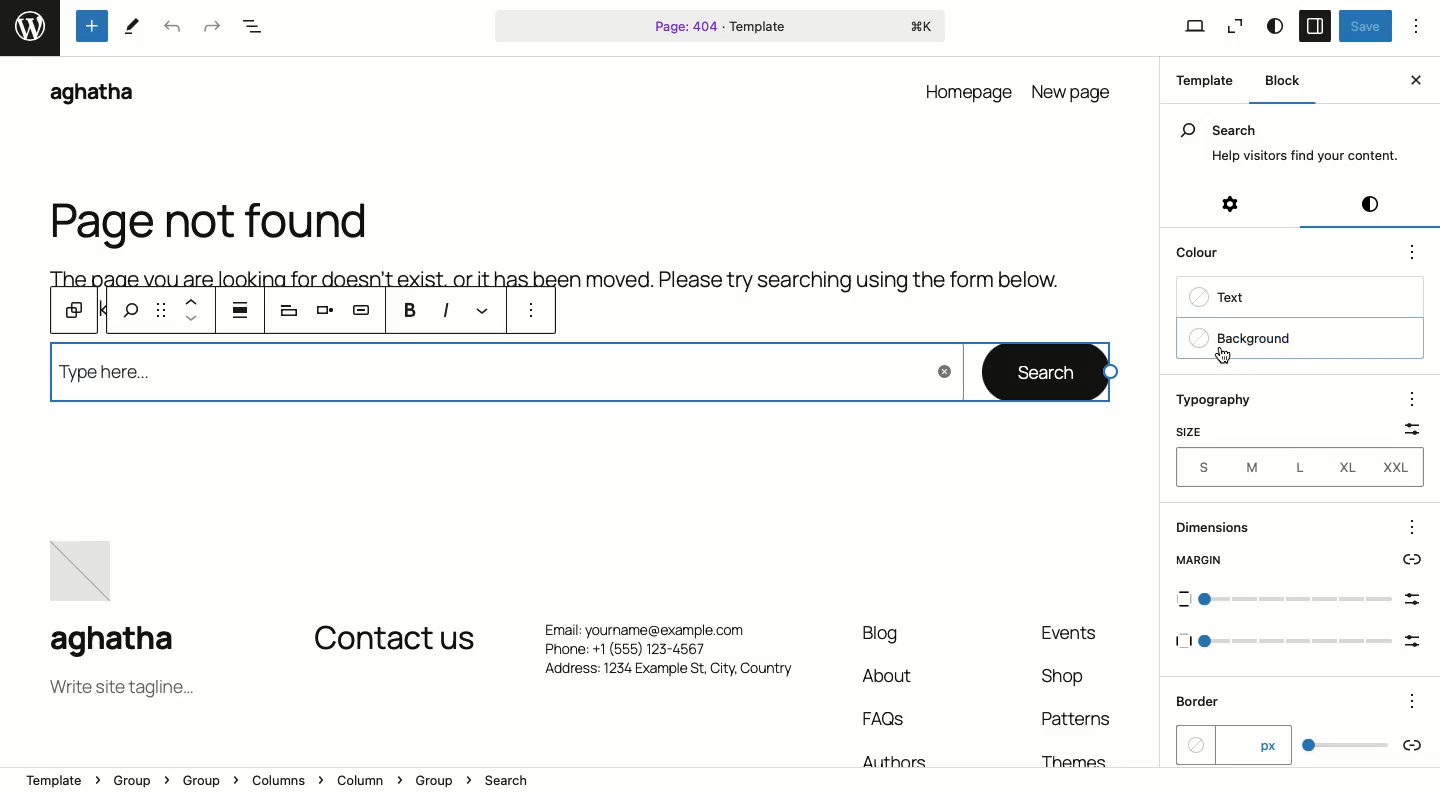 This screenshot has width=1440, height=792. Describe the element at coordinates (1201, 256) in the screenshot. I see `Color` at that location.